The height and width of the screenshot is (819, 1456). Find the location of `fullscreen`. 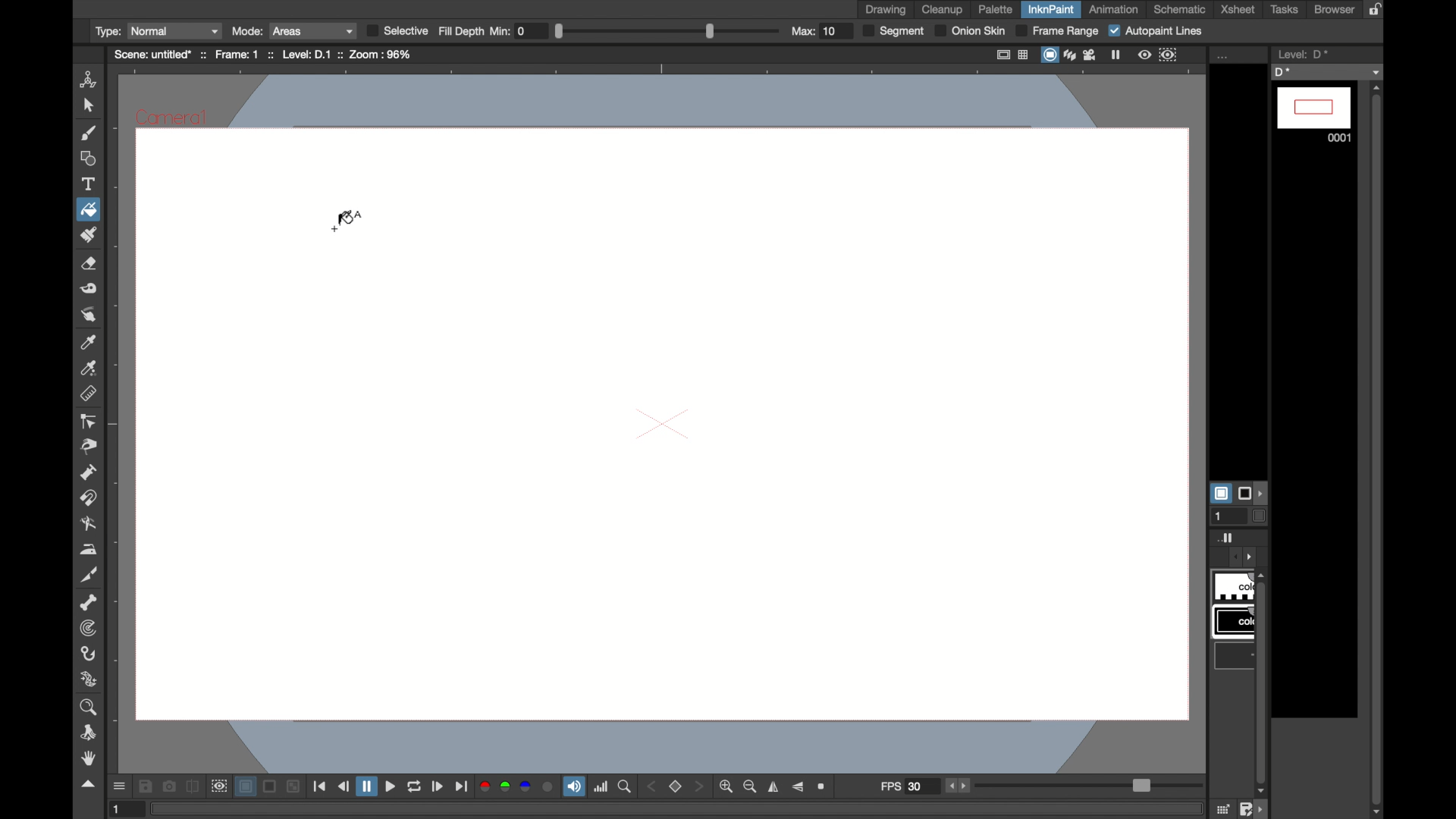

fullscreen is located at coordinates (1005, 54).